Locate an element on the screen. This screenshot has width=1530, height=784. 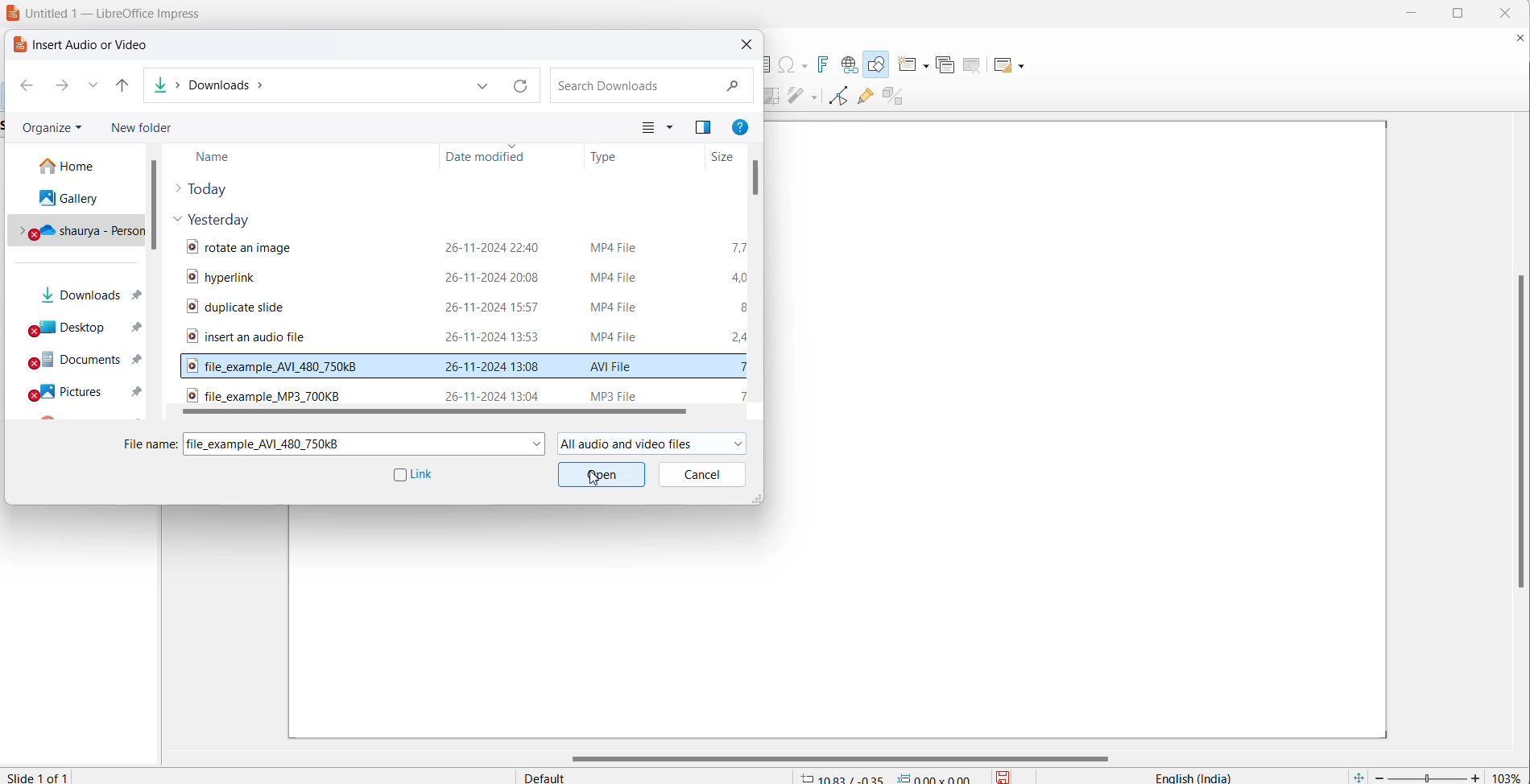
insert fontwork text is located at coordinates (827, 65).